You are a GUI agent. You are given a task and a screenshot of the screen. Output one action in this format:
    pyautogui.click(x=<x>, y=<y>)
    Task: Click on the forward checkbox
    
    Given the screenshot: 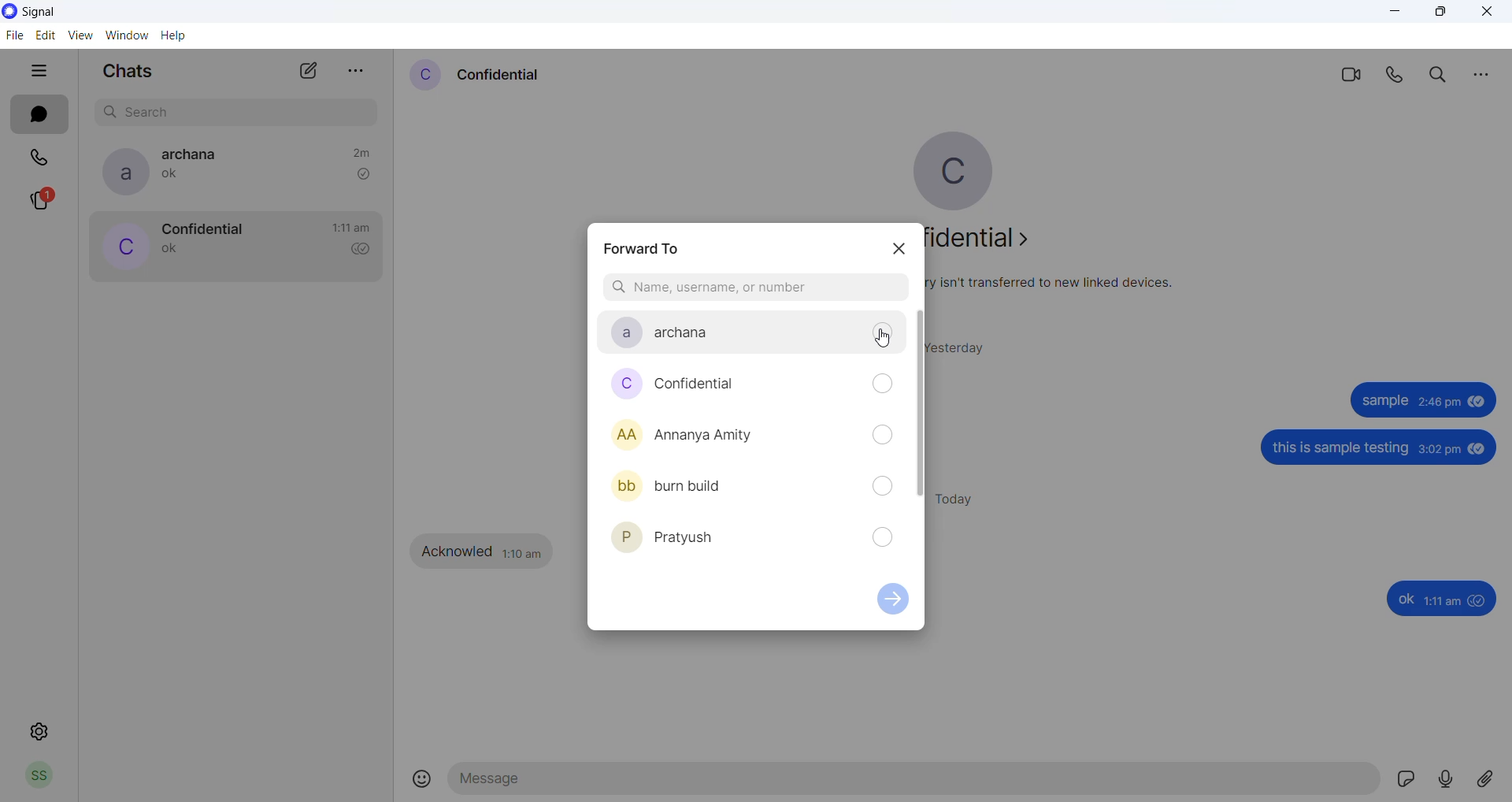 What is the action you would take?
    pyautogui.click(x=882, y=438)
    